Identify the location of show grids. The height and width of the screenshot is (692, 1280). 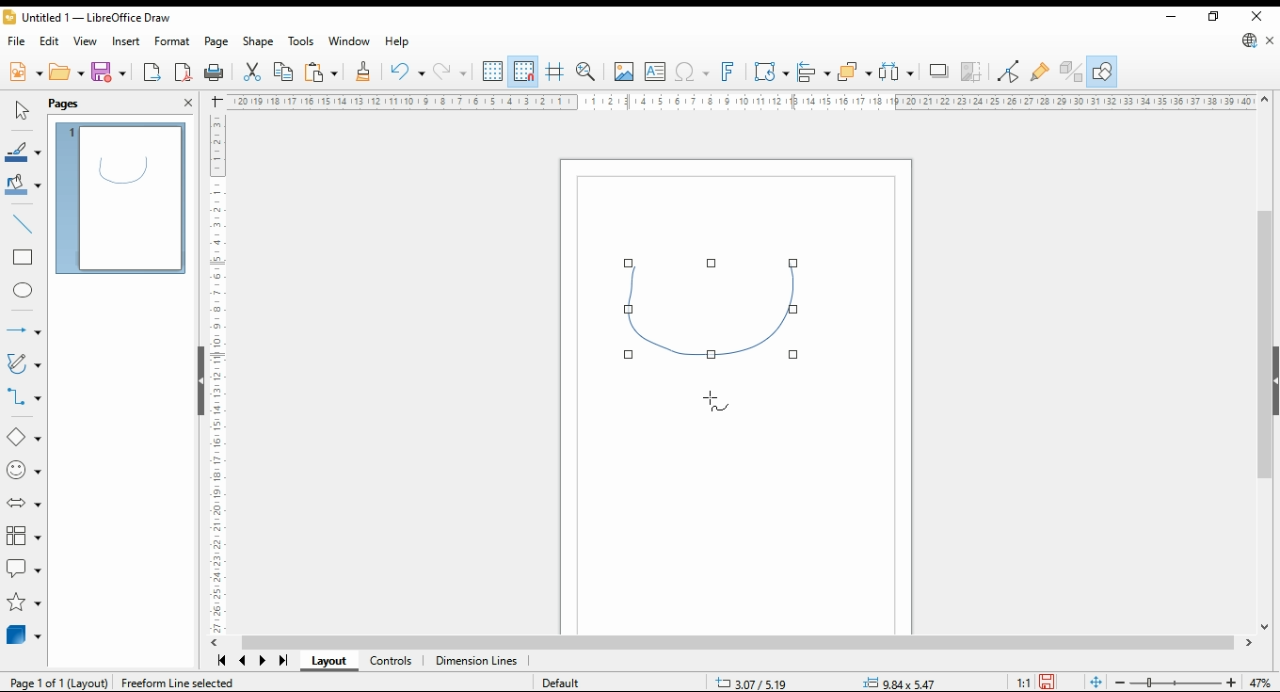
(492, 71).